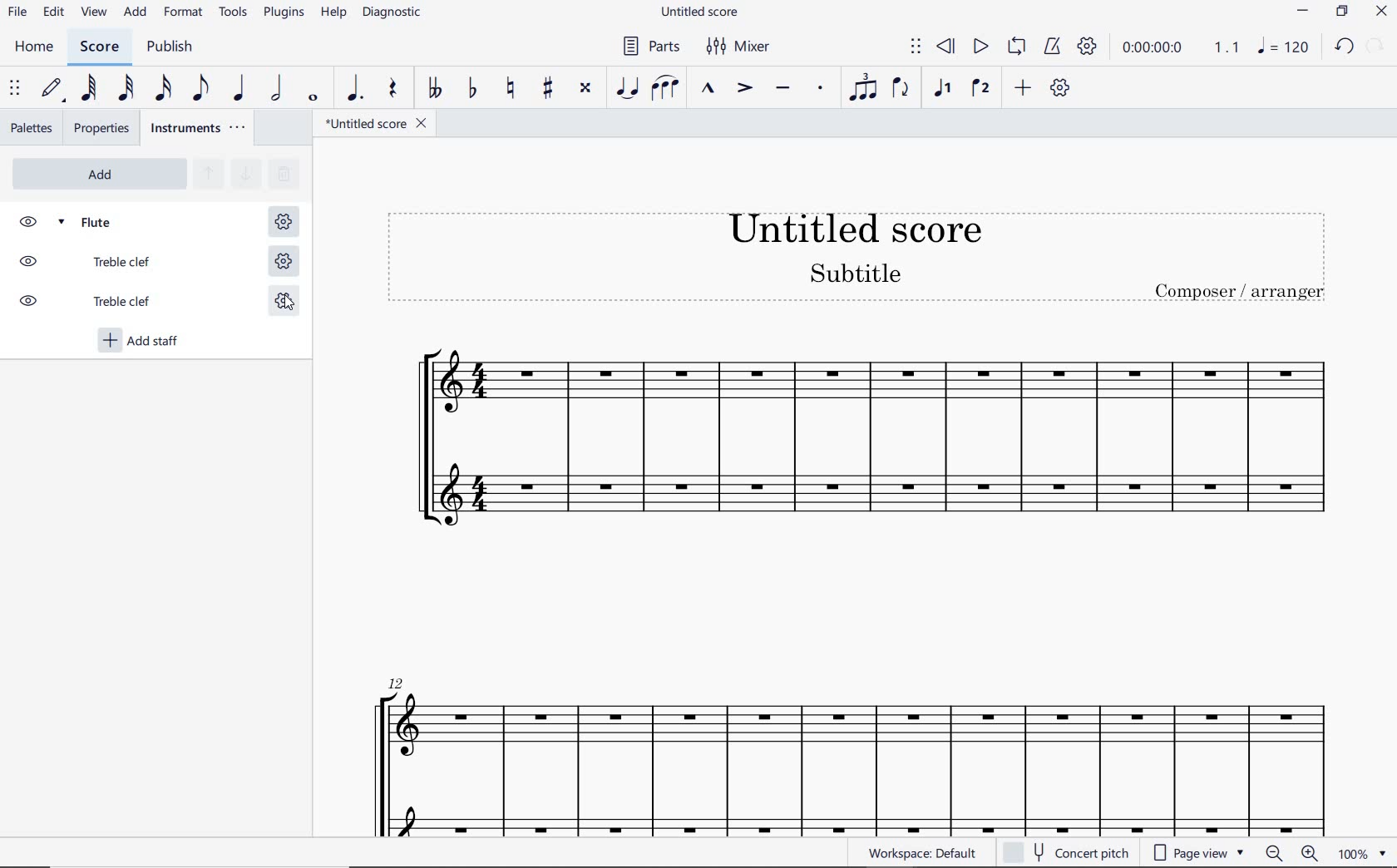  I want to click on HALF NOTE, so click(278, 90).